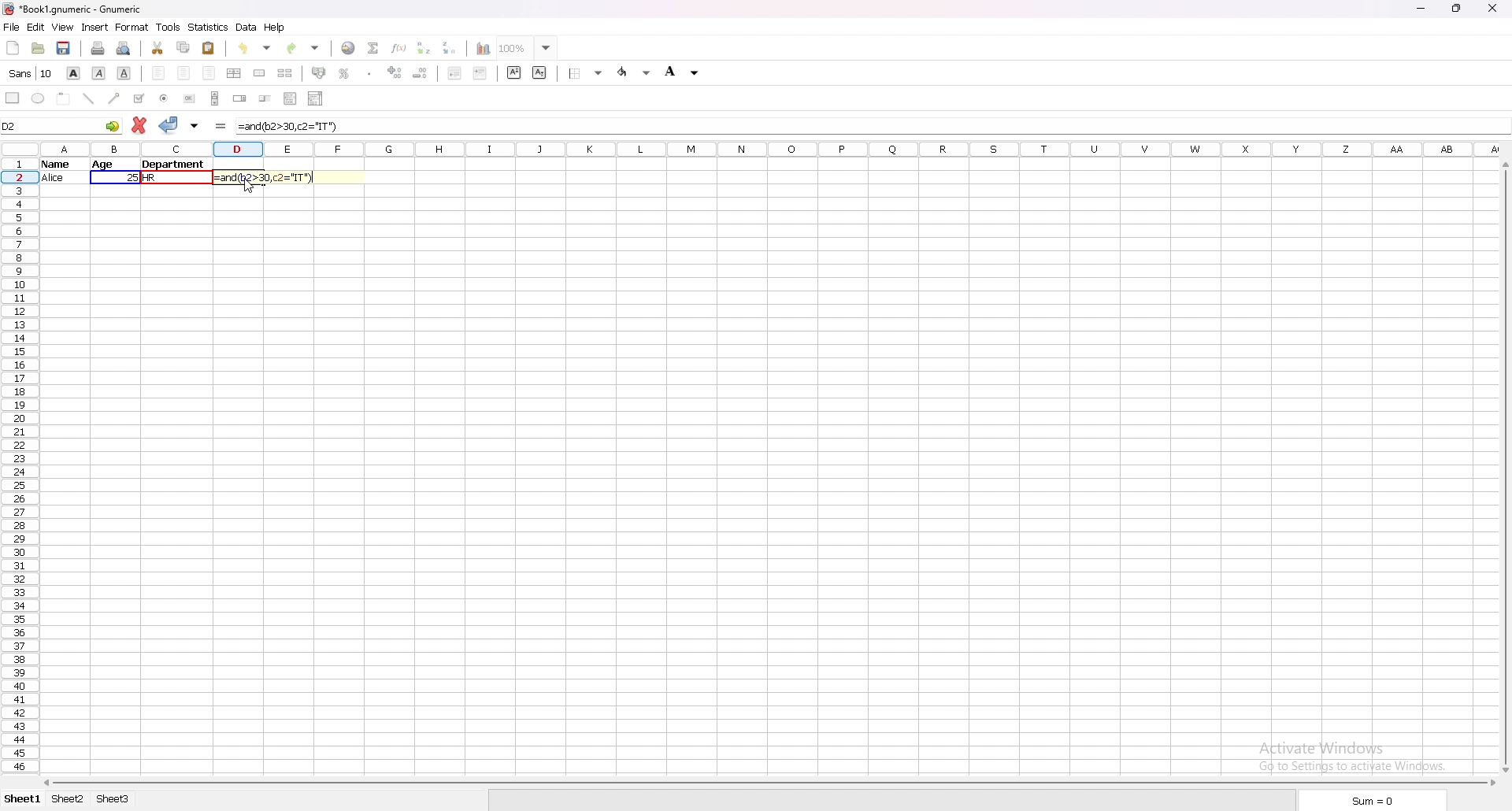 This screenshot has height=811, width=1512. What do you see at coordinates (128, 171) in the screenshot?
I see `data` at bounding box center [128, 171].